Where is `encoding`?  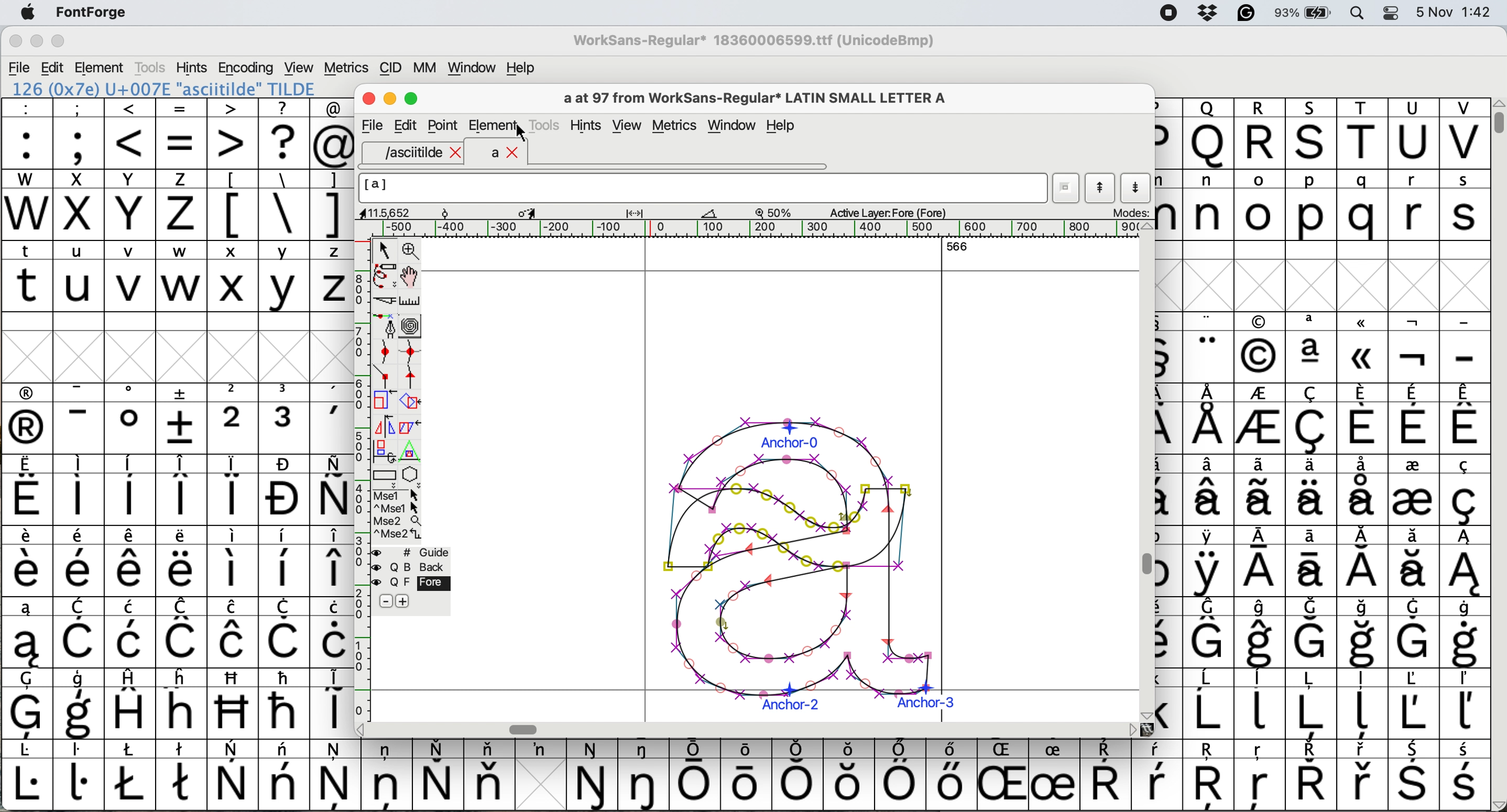
encoding is located at coordinates (247, 68).